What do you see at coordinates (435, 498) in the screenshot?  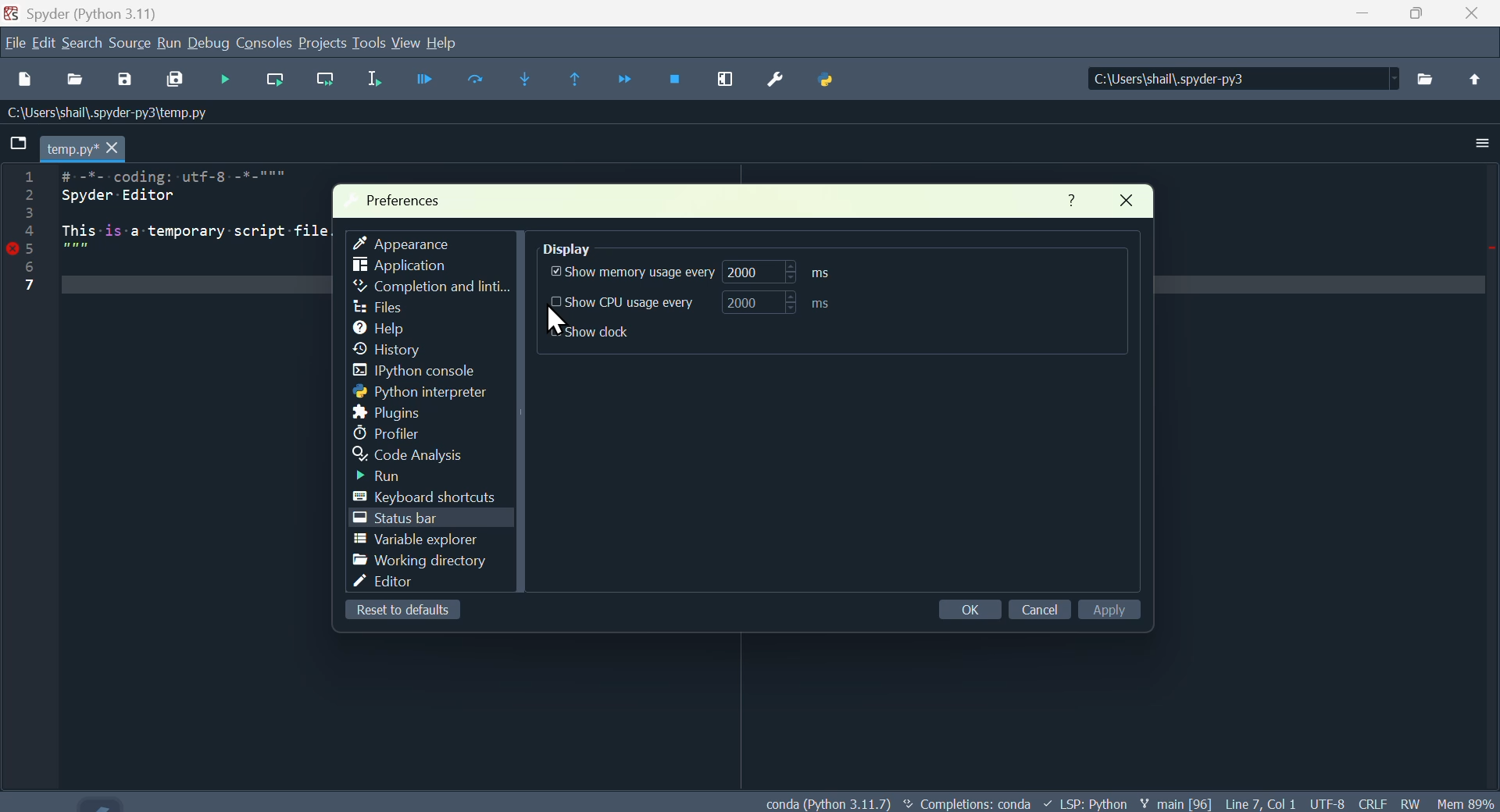 I see `Keyboard shortcuts` at bounding box center [435, 498].